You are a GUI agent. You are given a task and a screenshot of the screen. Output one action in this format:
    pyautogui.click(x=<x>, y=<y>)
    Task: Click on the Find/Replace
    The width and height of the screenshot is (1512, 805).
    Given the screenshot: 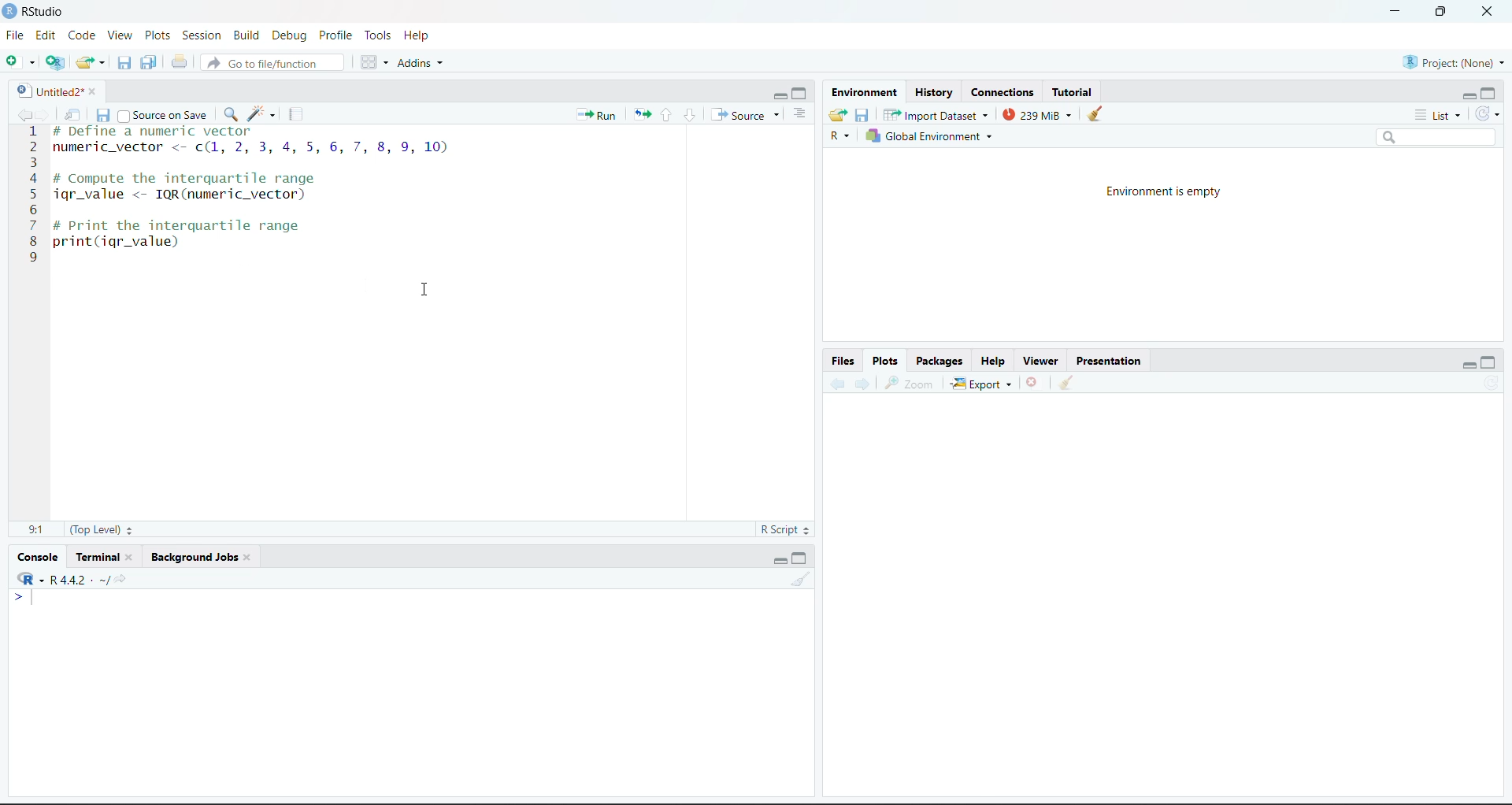 What is the action you would take?
    pyautogui.click(x=231, y=113)
    